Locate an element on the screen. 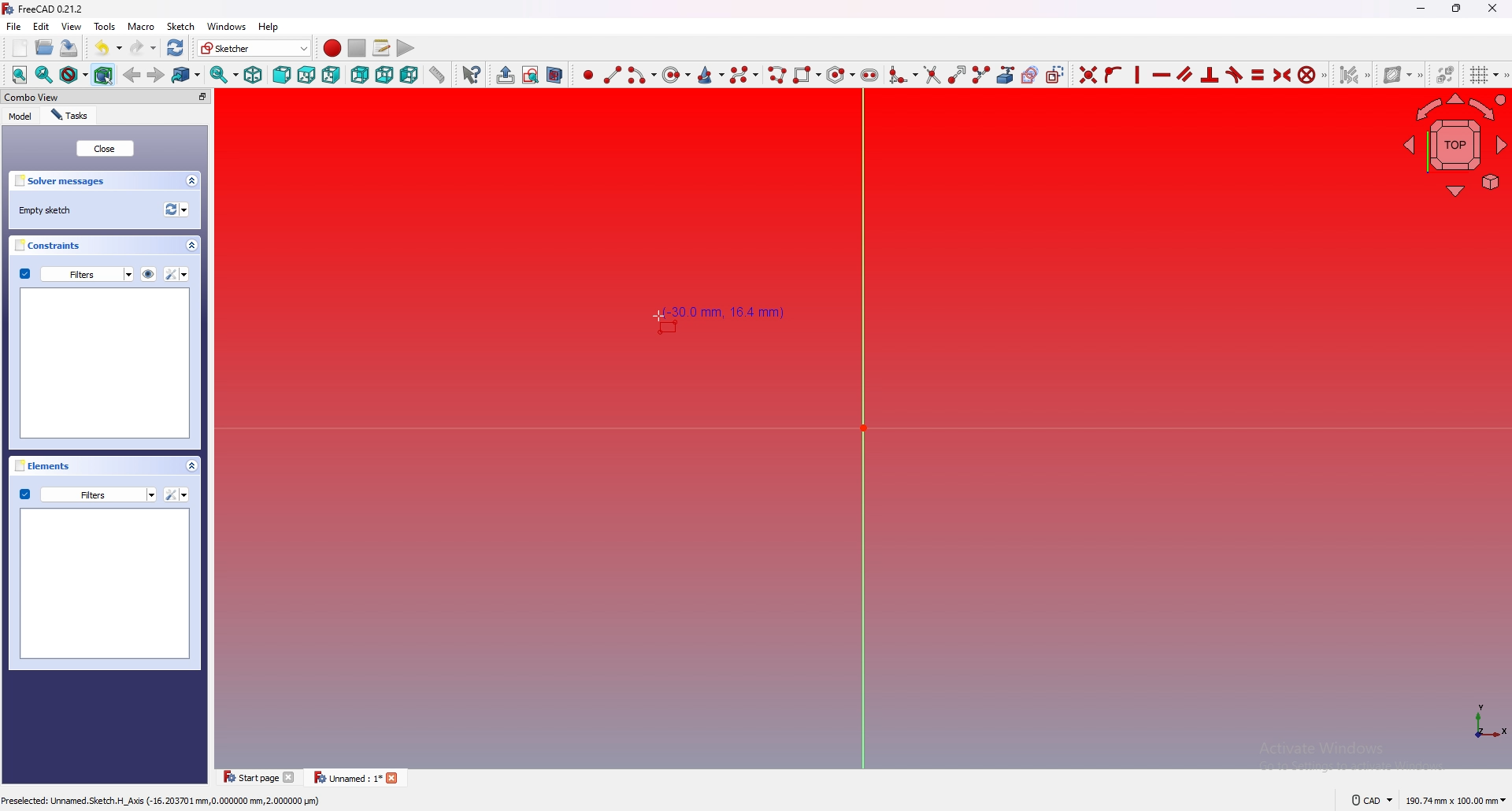 The width and height of the screenshot is (1512, 811). refresh is located at coordinates (176, 209).